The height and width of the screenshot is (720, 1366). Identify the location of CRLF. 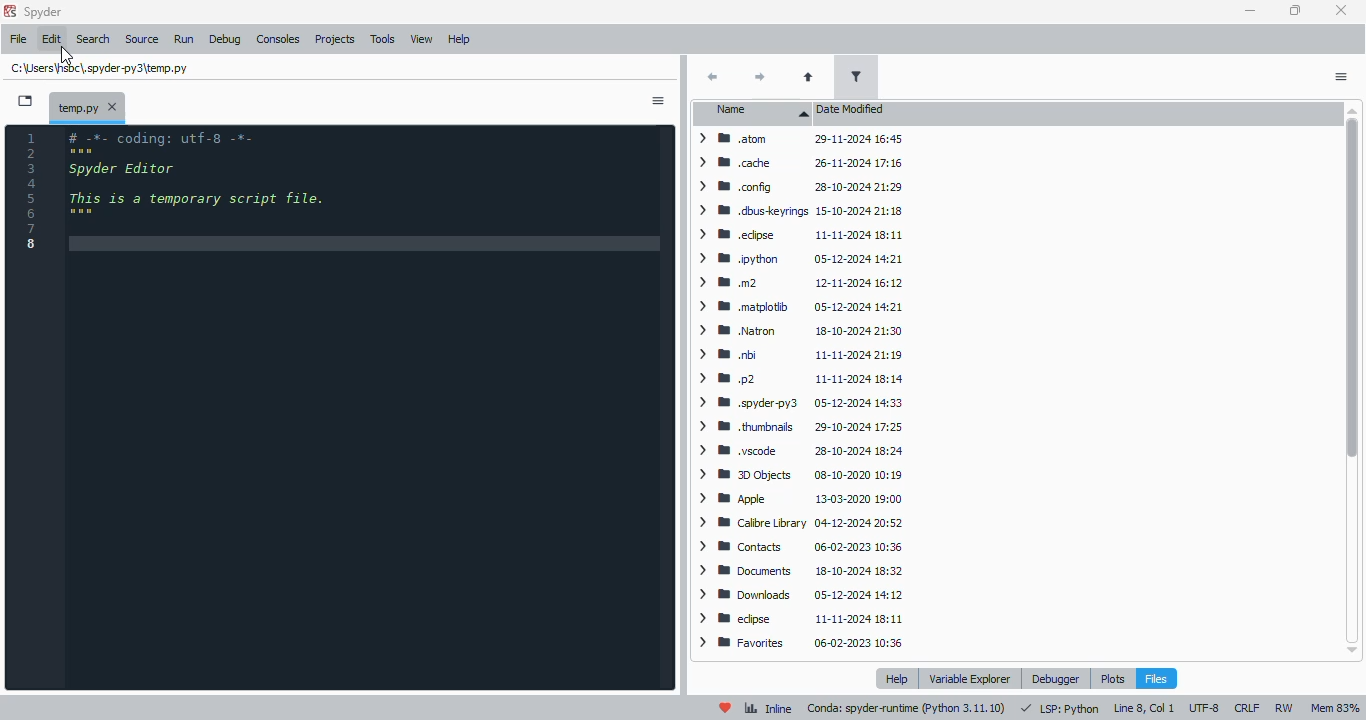
(1248, 708).